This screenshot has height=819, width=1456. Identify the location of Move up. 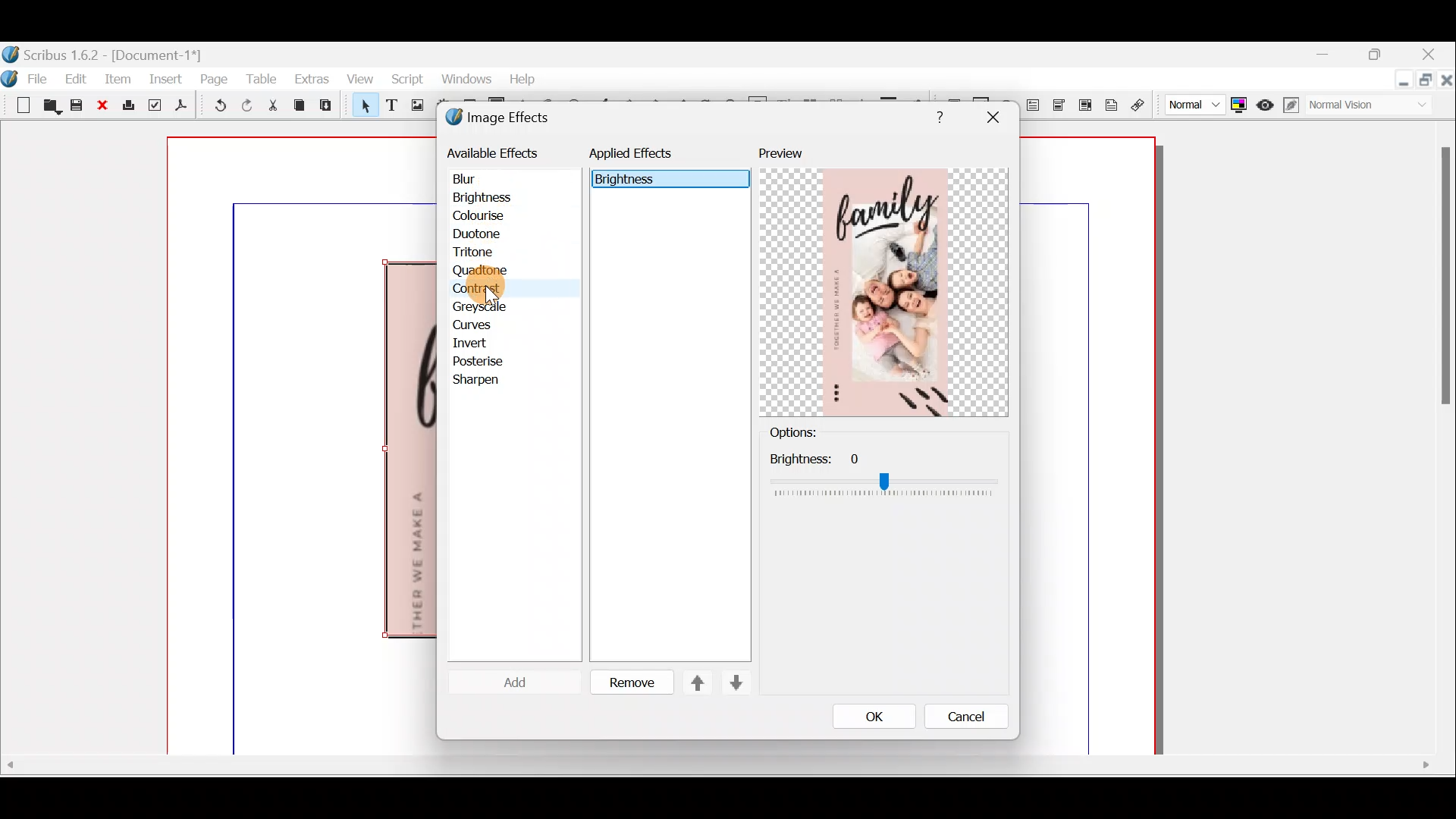
(691, 682).